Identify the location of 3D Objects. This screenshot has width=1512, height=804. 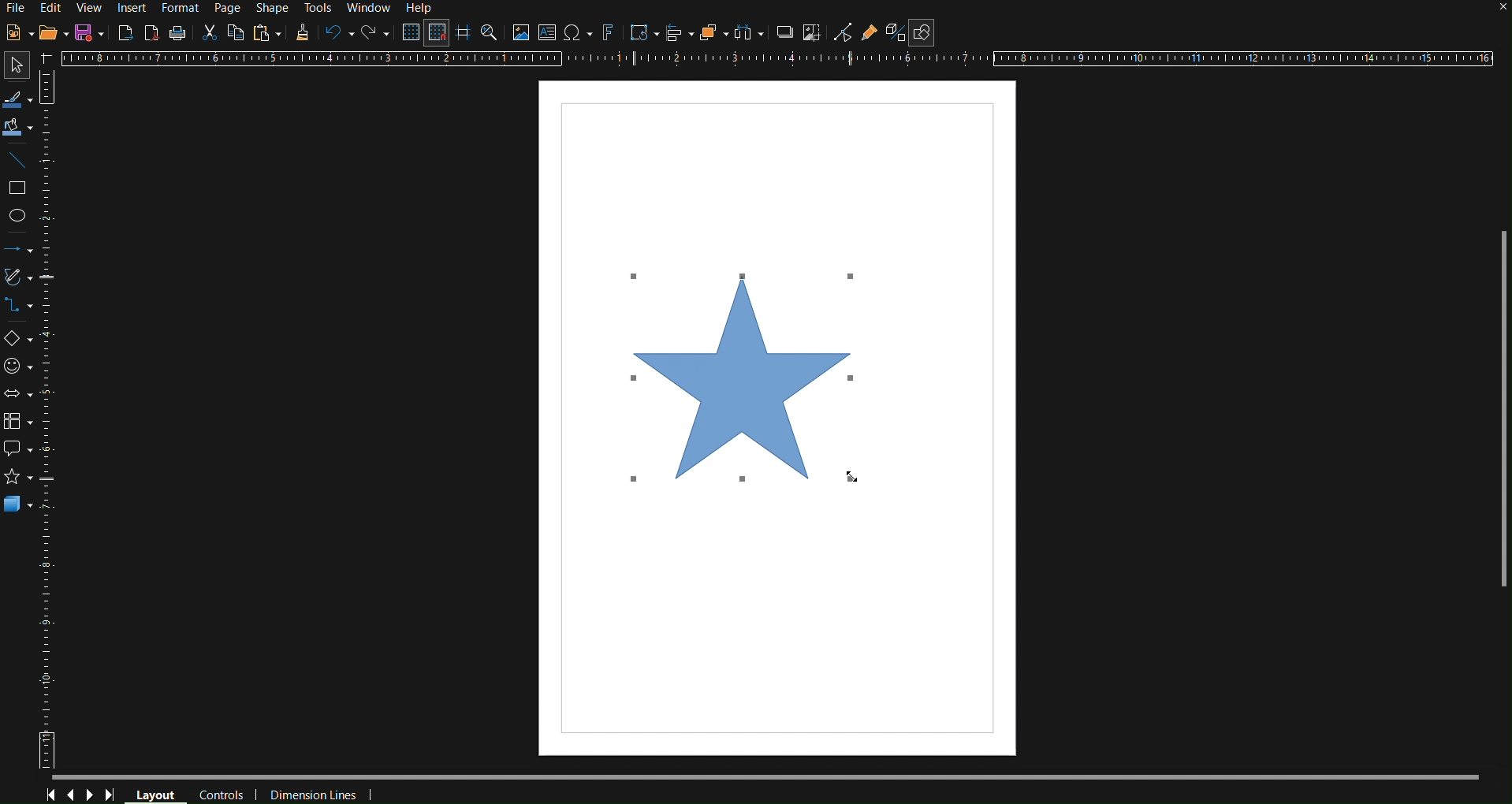
(19, 509).